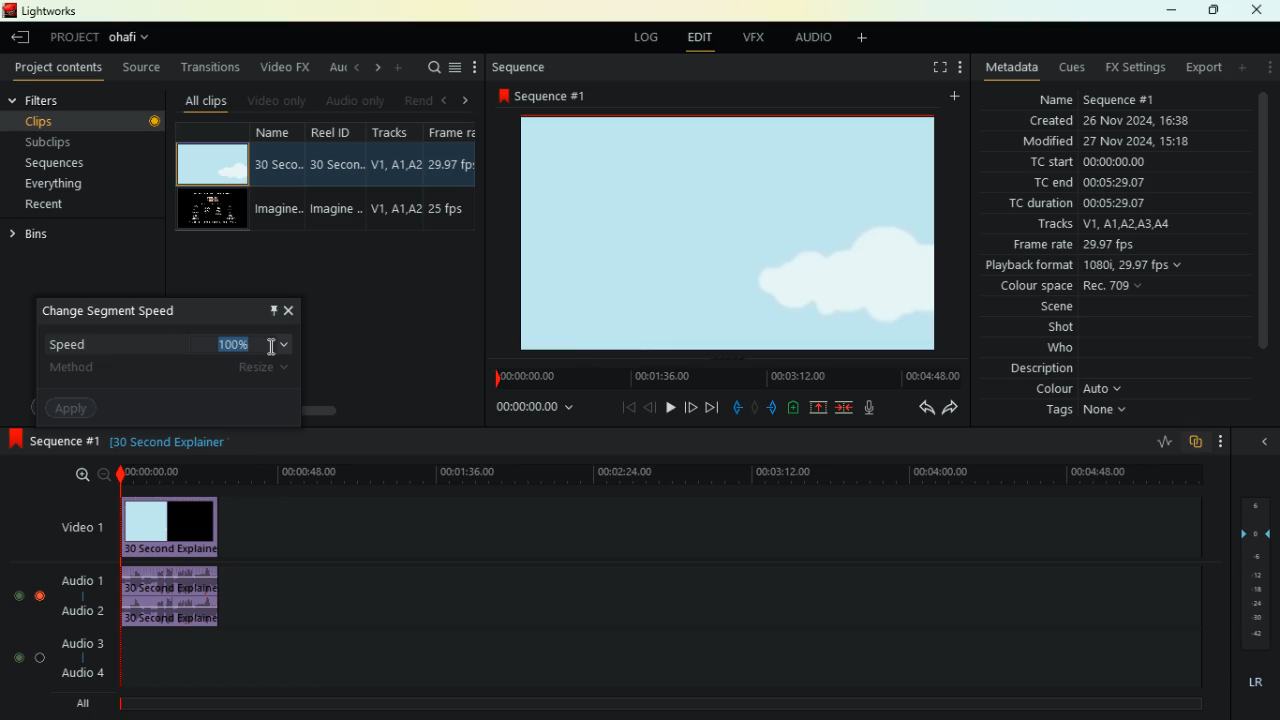  Describe the element at coordinates (758, 37) in the screenshot. I see `vfx` at that location.